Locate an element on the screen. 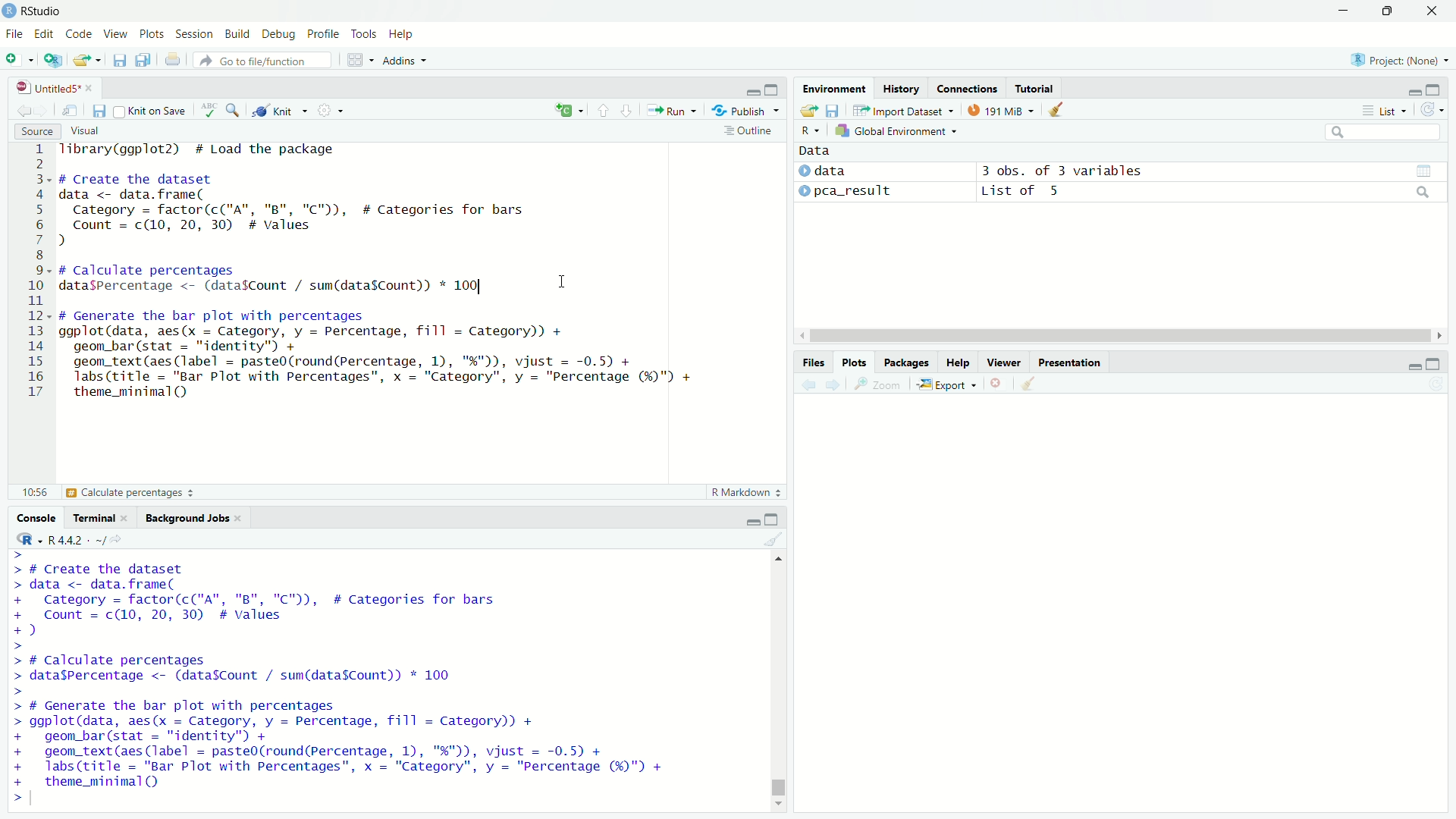  Files is located at coordinates (813, 362).